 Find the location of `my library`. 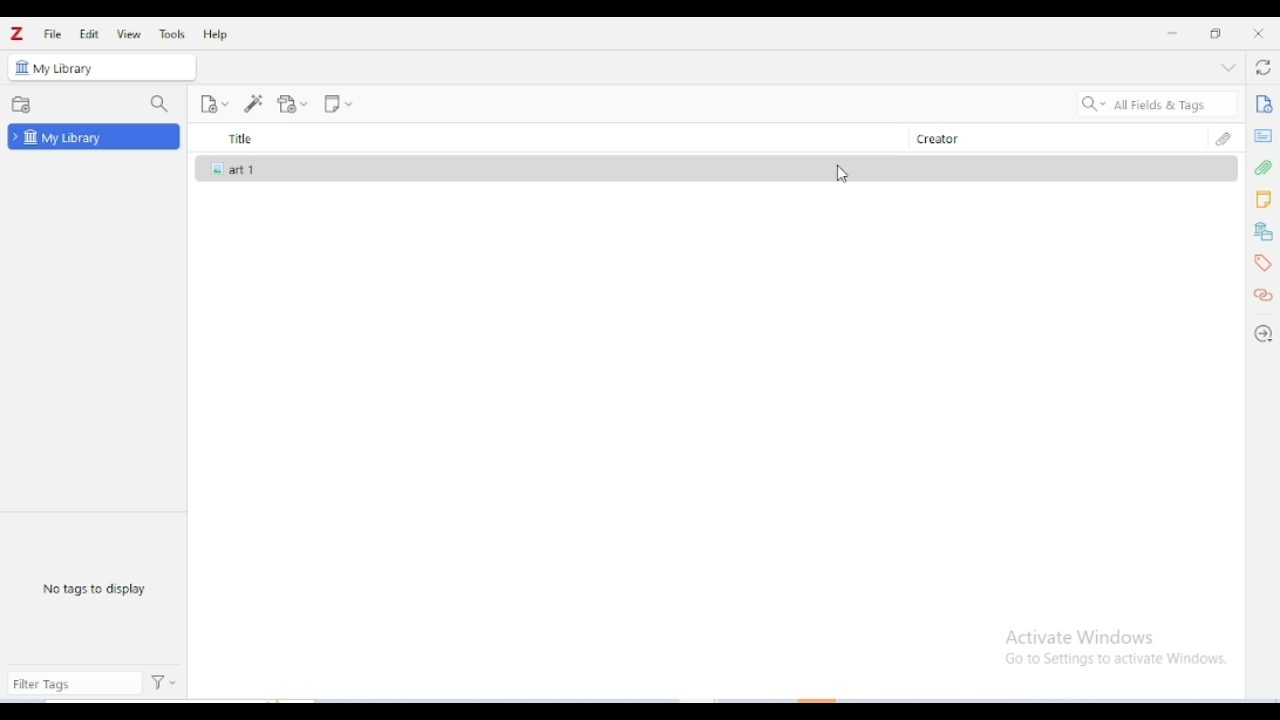

my library is located at coordinates (64, 69).